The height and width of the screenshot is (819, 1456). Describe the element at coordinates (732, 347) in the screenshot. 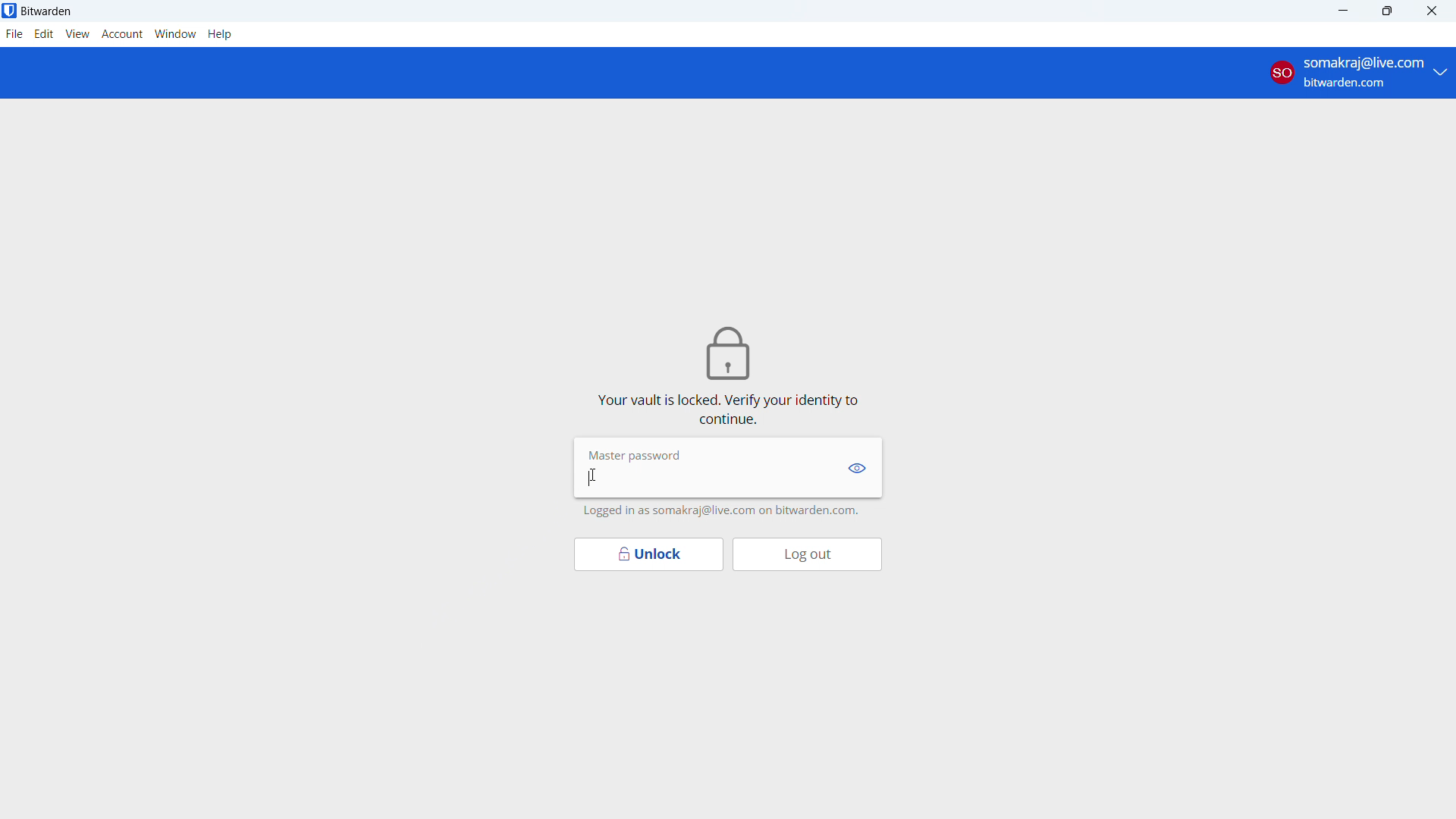

I see `lock icon` at that location.